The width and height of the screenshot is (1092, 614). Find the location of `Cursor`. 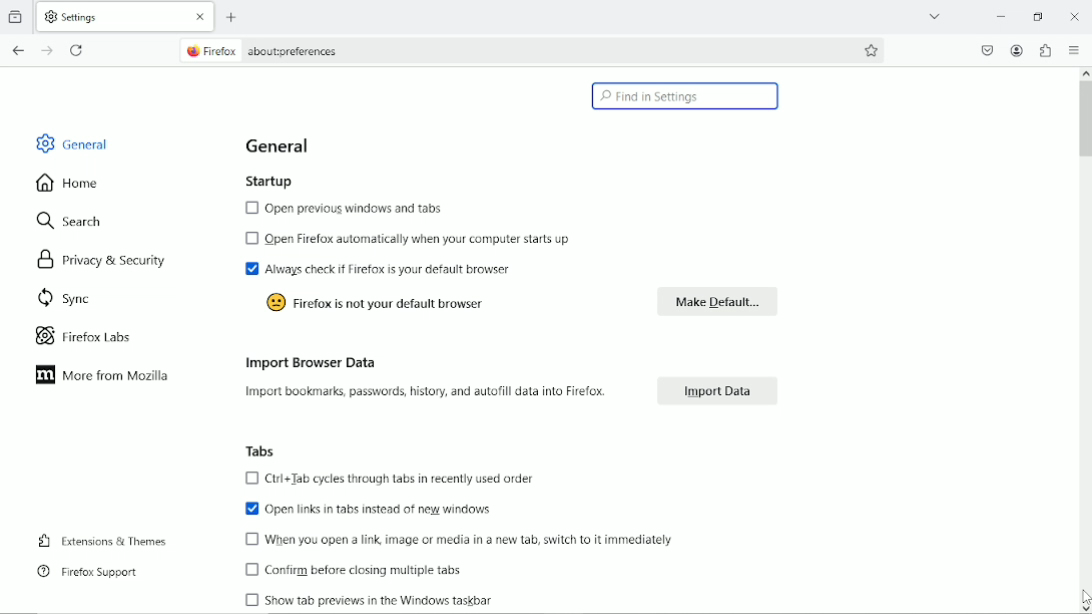

Cursor is located at coordinates (1083, 596).